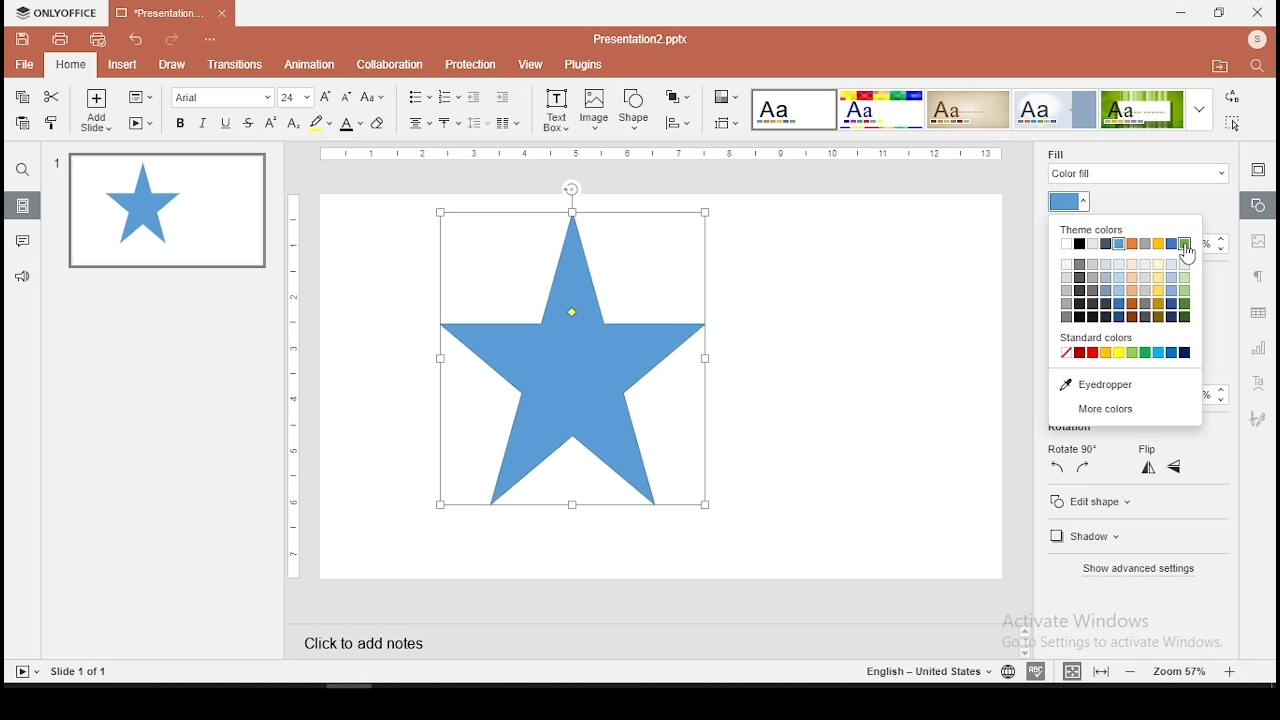  What do you see at coordinates (448, 124) in the screenshot?
I see `vertical alignment` at bounding box center [448, 124].